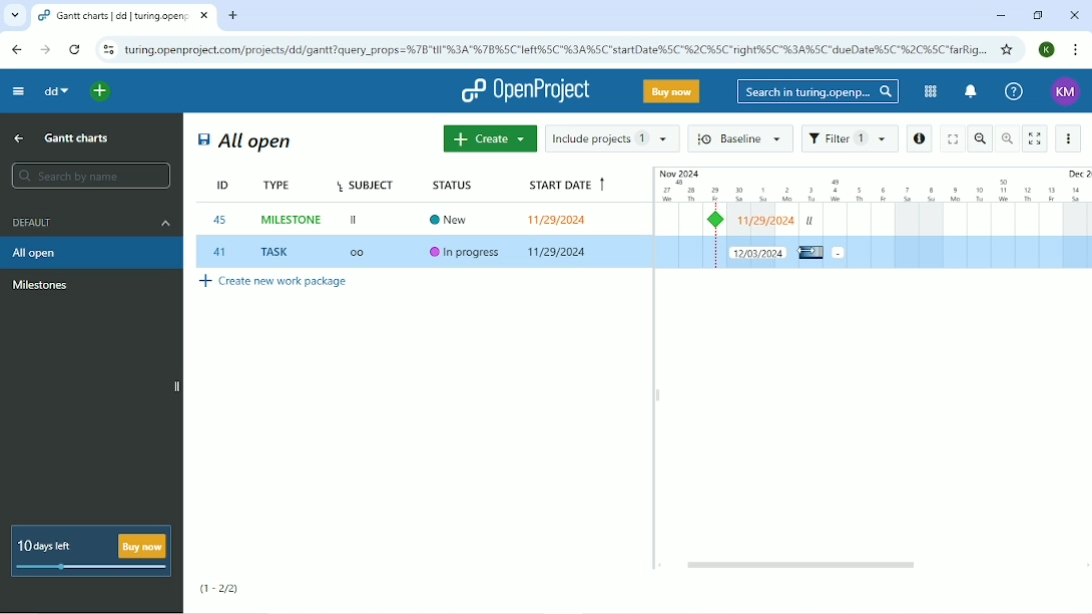 Image resolution: width=1092 pixels, height=614 pixels. I want to click on OpenProject, so click(525, 91).